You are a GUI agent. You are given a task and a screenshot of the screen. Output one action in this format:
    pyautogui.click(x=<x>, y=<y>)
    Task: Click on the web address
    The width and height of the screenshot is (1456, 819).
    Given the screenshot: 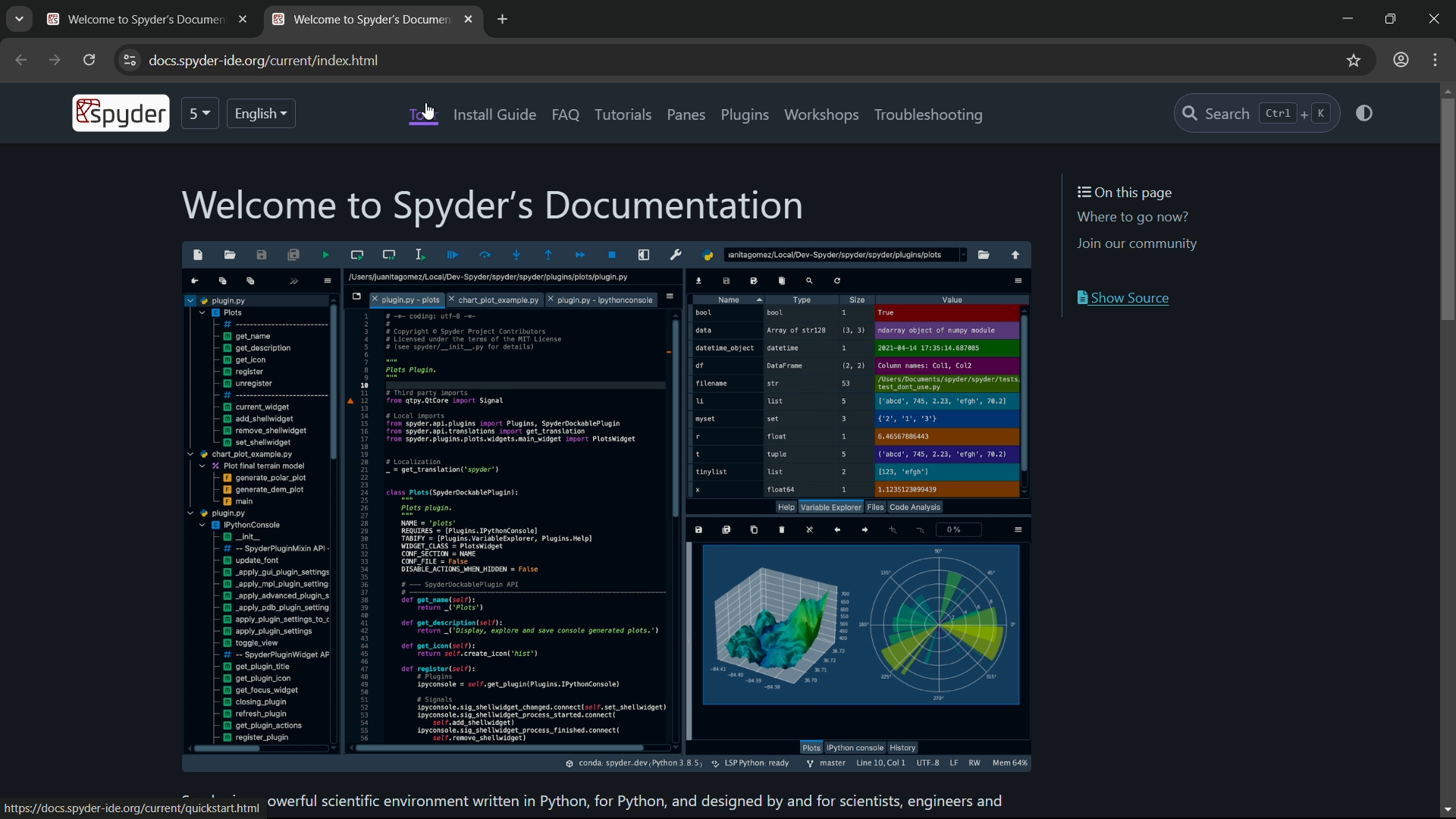 What is the action you would take?
    pyautogui.click(x=266, y=61)
    